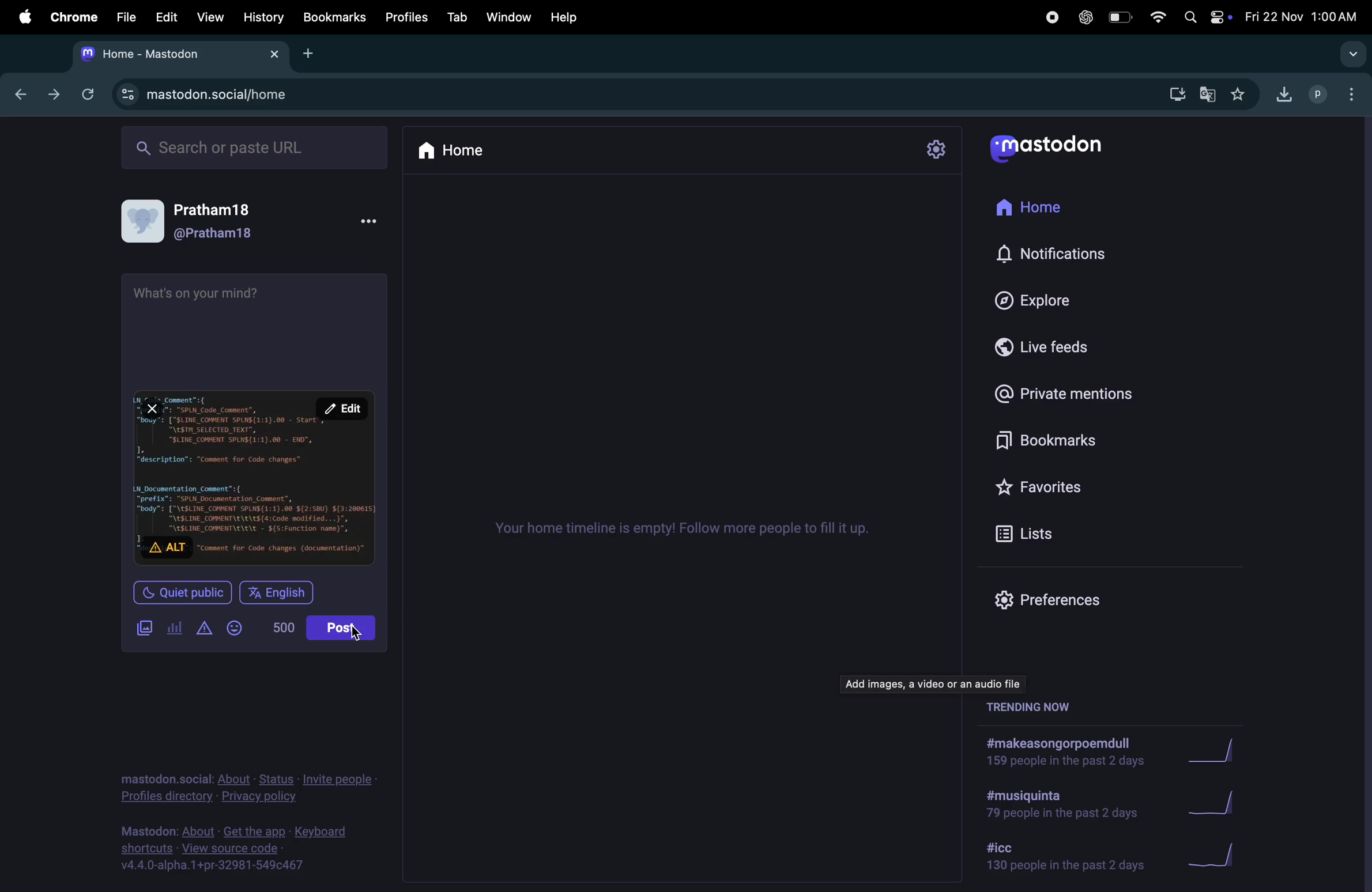  What do you see at coordinates (177, 632) in the screenshot?
I see `poles` at bounding box center [177, 632].